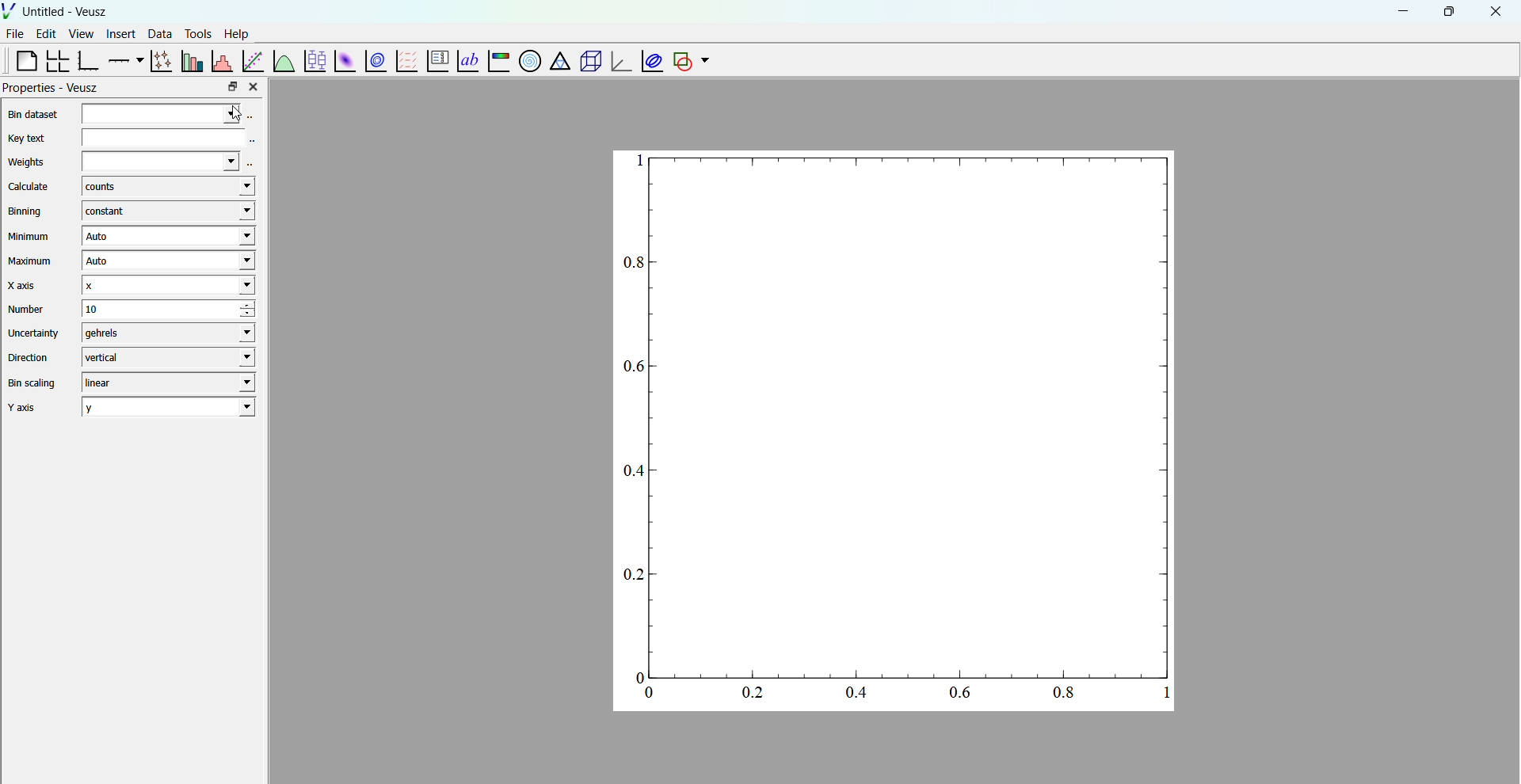 The width and height of the screenshot is (1521, 784). What do you see at coordinates (124, 59) in the screenshot?
I see `add an axis to a plot` at bounding box center [124, 59].